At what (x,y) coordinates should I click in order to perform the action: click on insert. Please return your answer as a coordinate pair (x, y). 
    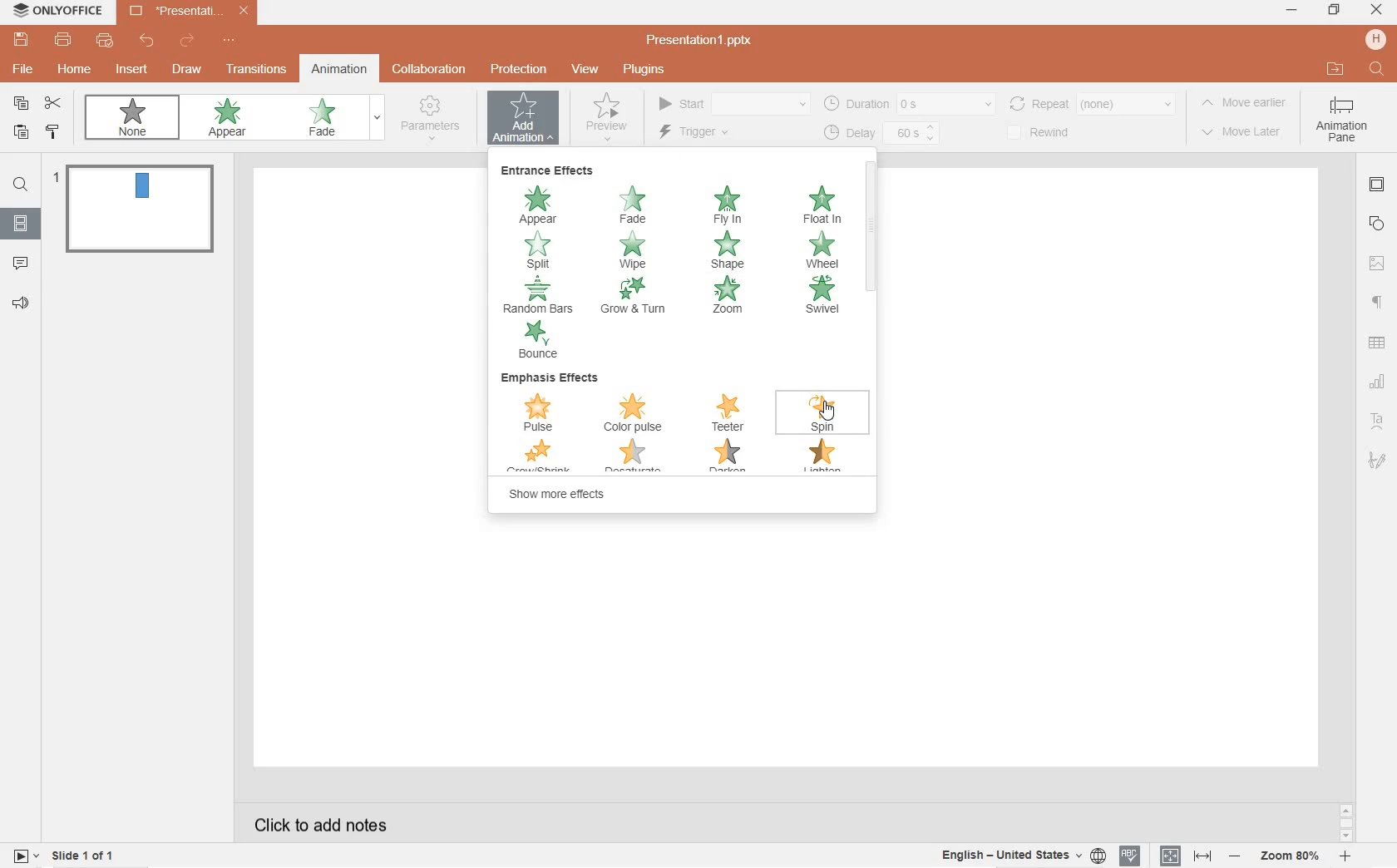
    Looking at the image, I should click on (135, 74).